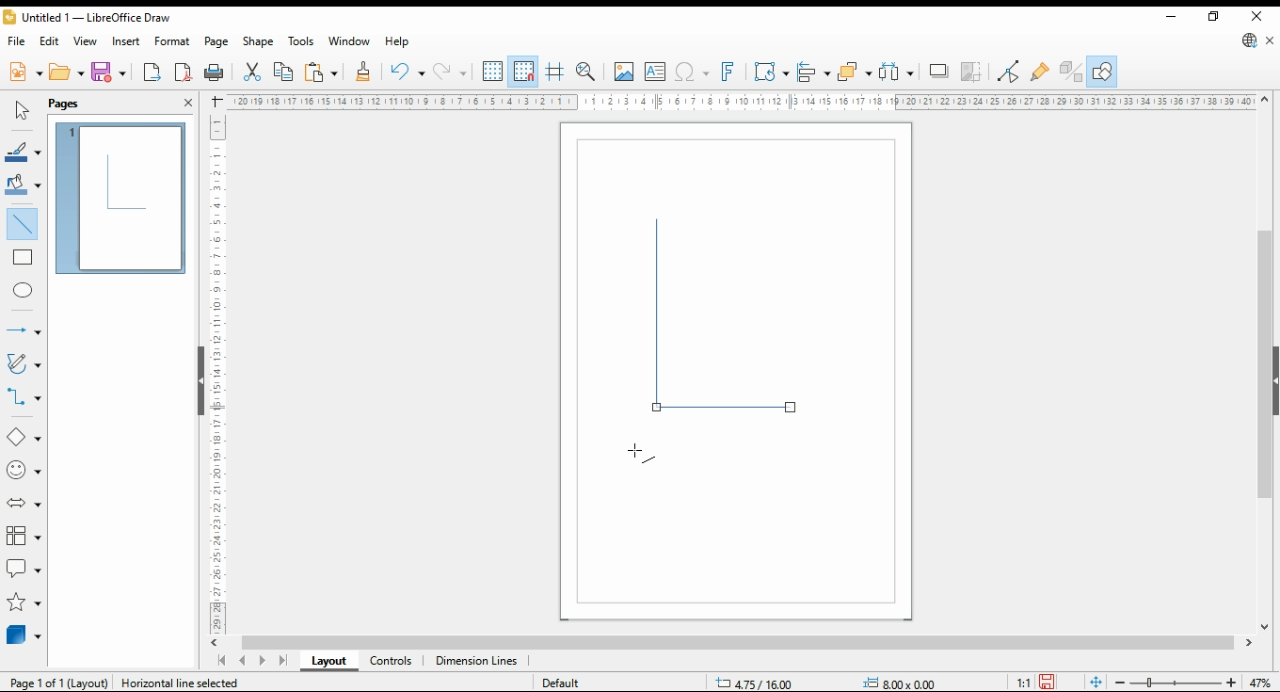  I want to click on move down, so click(1265, 629).